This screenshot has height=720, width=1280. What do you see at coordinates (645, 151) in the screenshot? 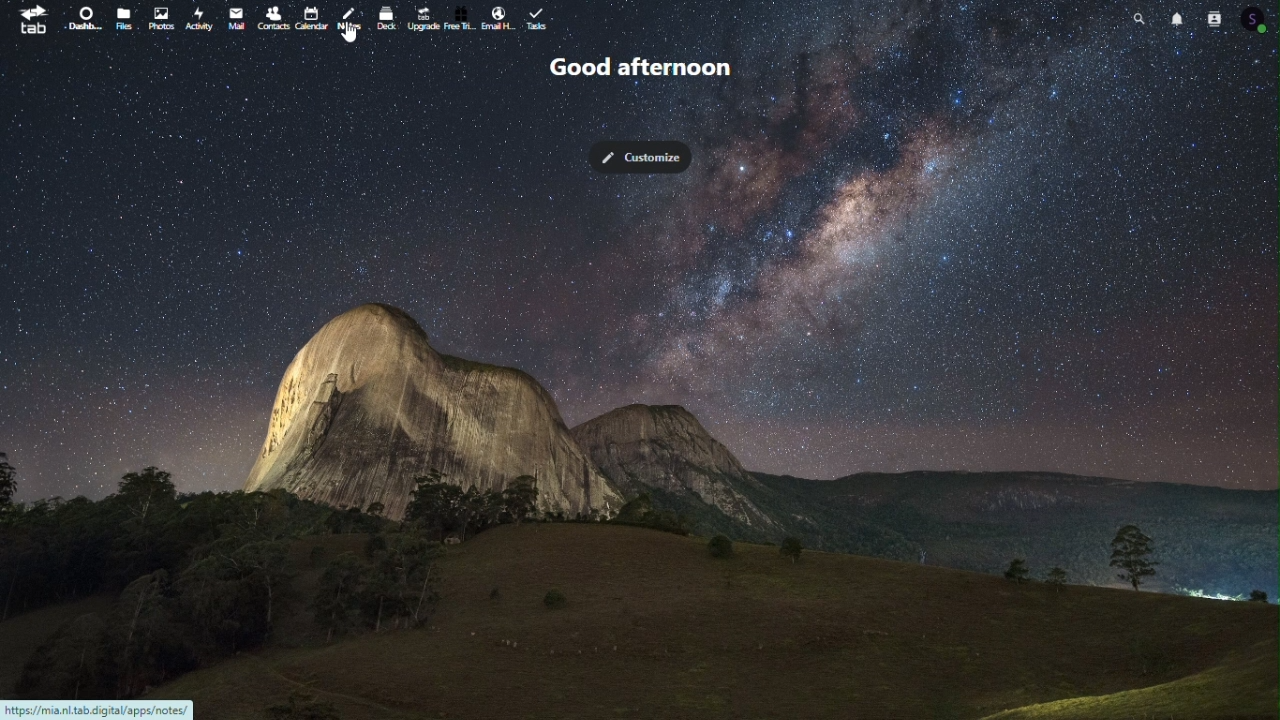
I see `Customise` at bounding box center [645, 151].